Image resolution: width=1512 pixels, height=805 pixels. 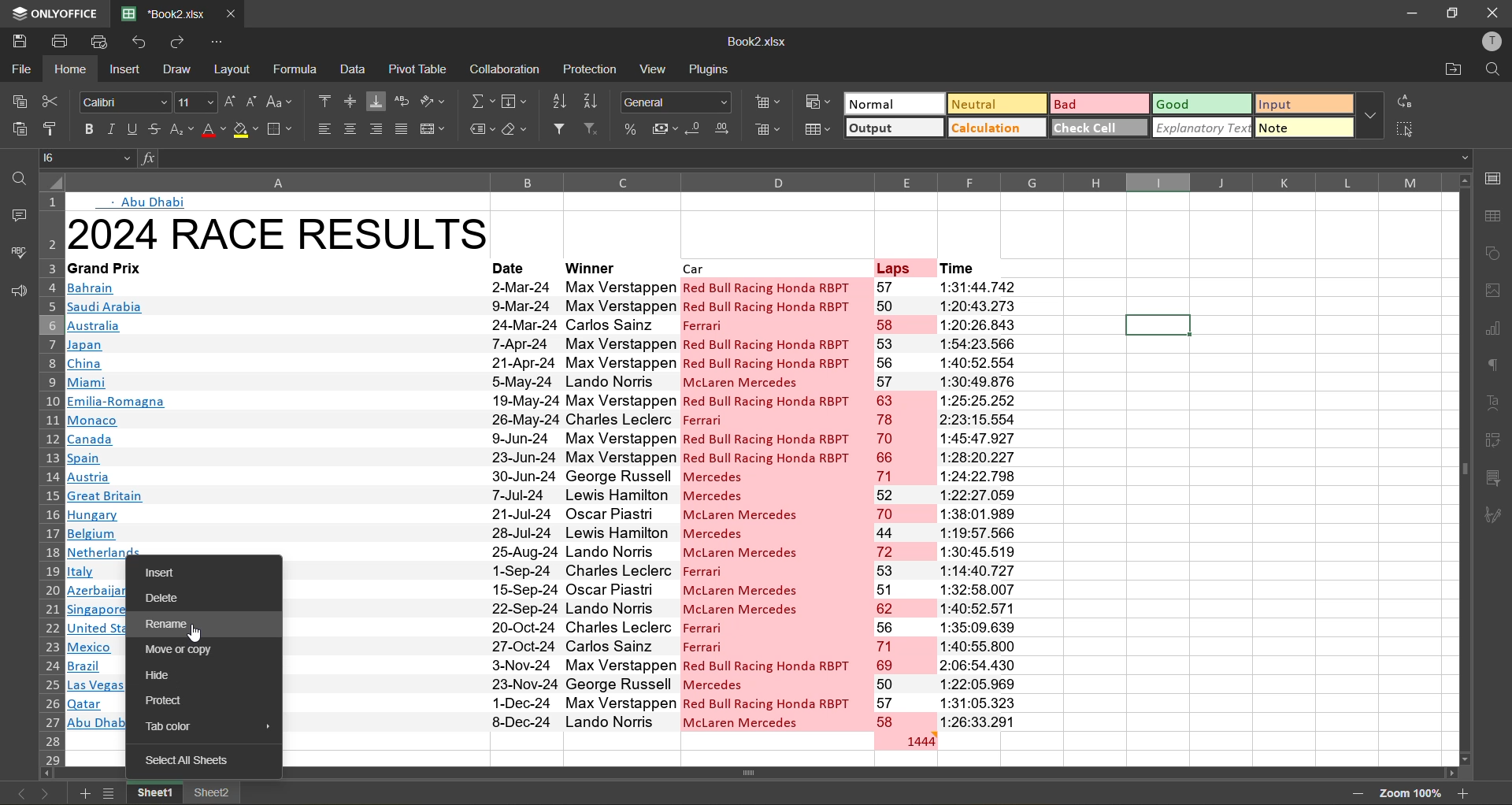 What do you see at coordinates (419, 69) in the screenshot?
I see `pivot table` at bounding box center [419, 69].